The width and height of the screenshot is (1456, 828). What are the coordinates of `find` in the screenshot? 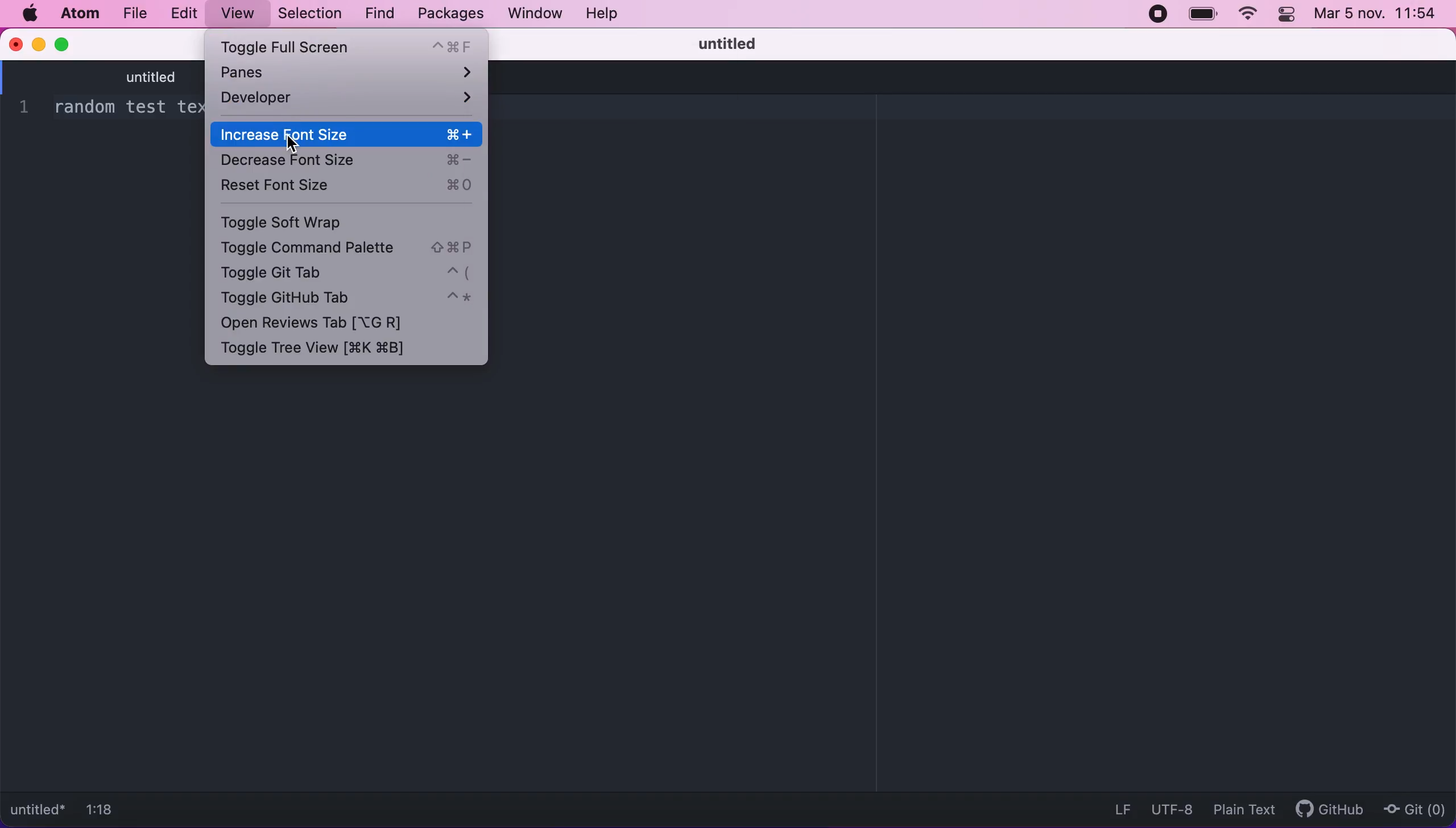 It's located at (376, 14).